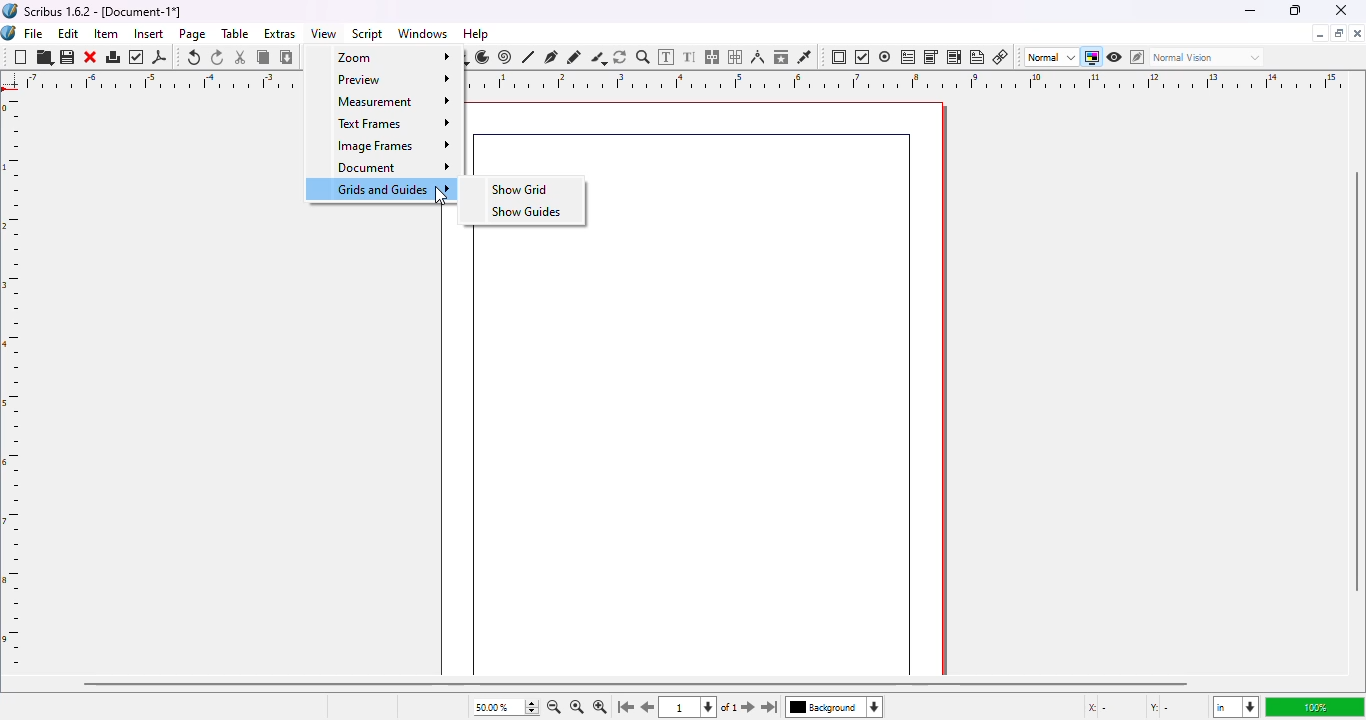  Describe the element at coordinates (553, 707) in the screenshot. I see `zoom out ` at that location.